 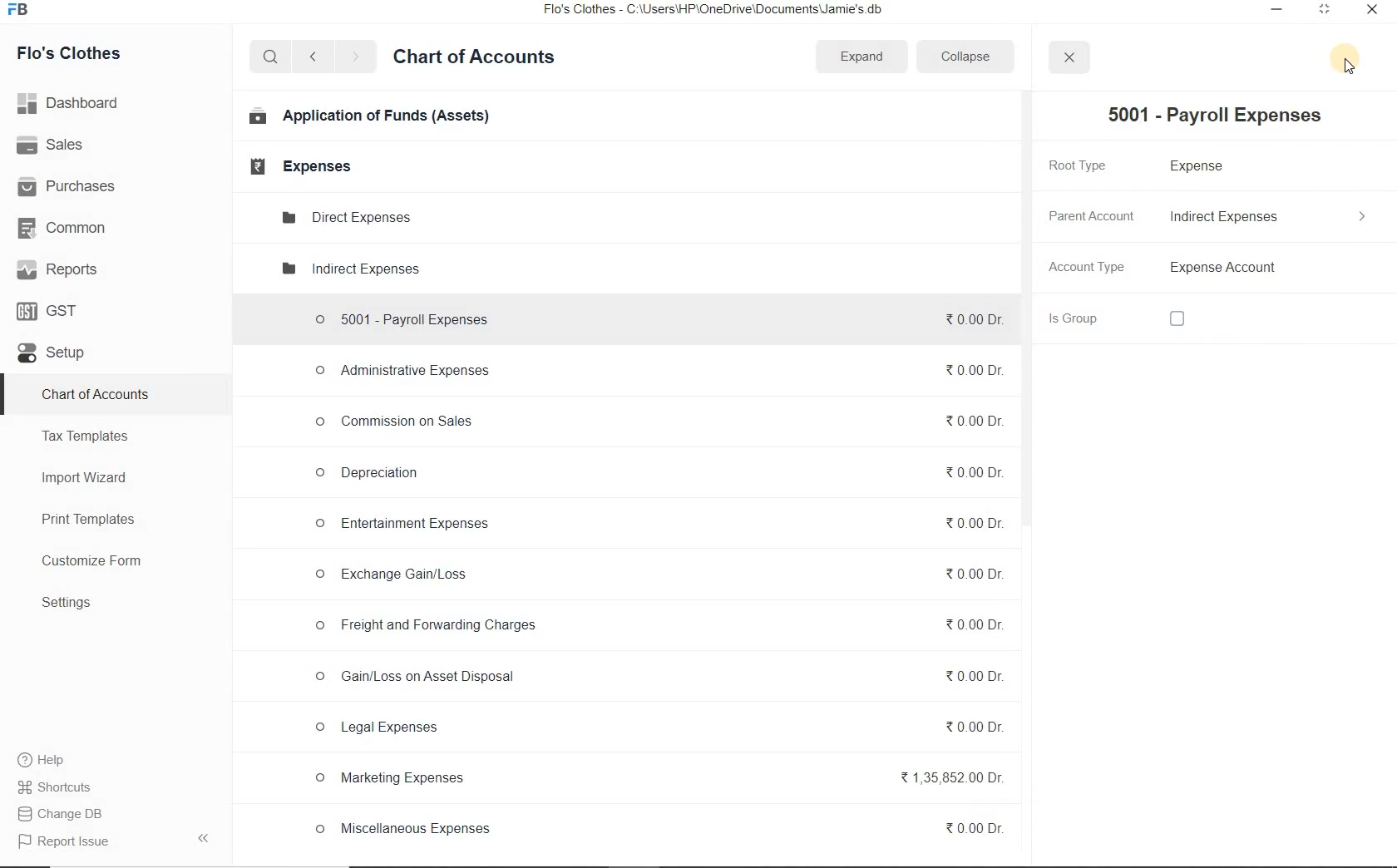 What do you see at coordinates (1348, 70) in the screenshot?
I see `cursor` at bounding box center [1348, 70].